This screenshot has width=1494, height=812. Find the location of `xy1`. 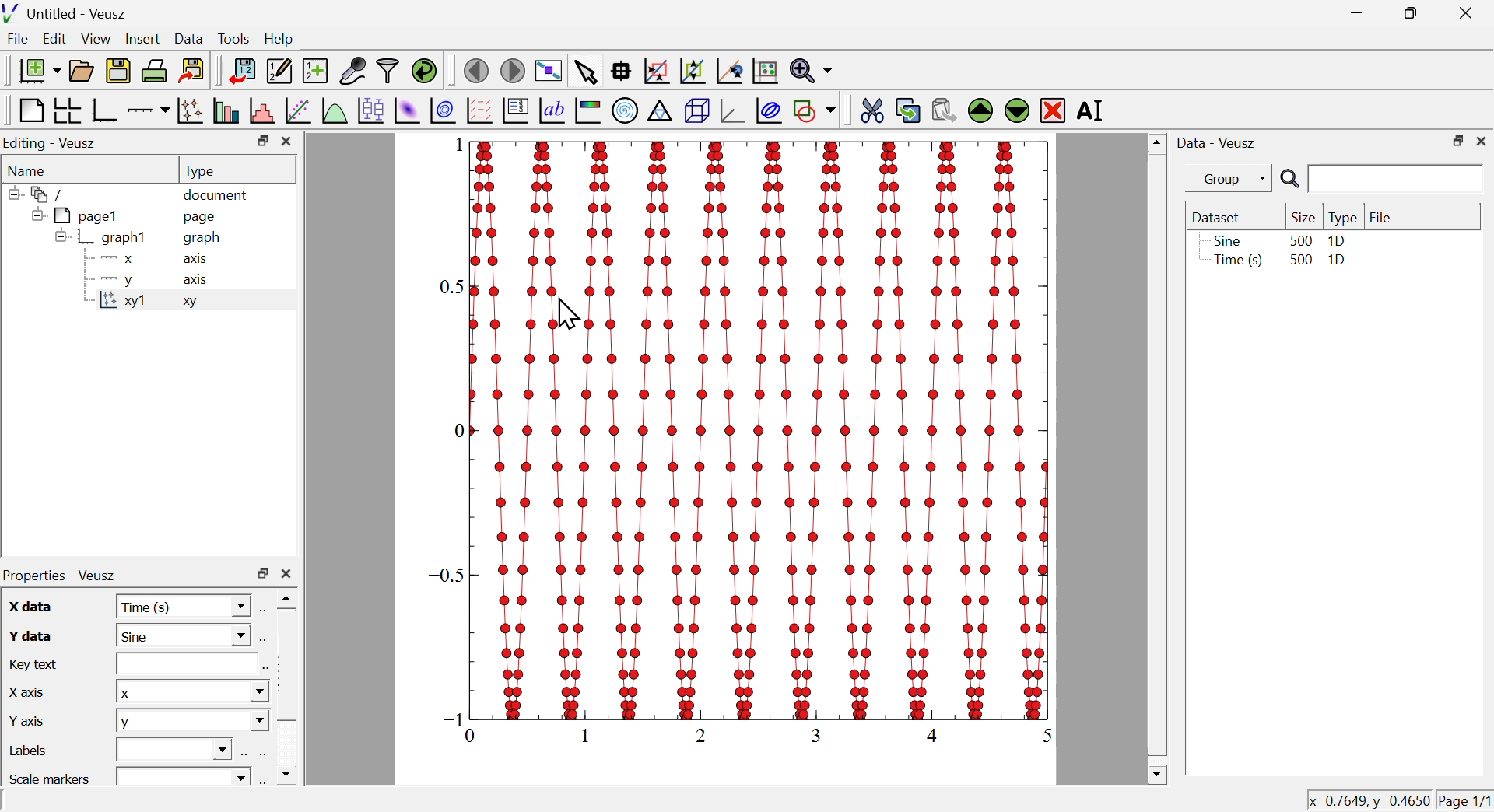

xy1 is located at coordinates (124, 303).